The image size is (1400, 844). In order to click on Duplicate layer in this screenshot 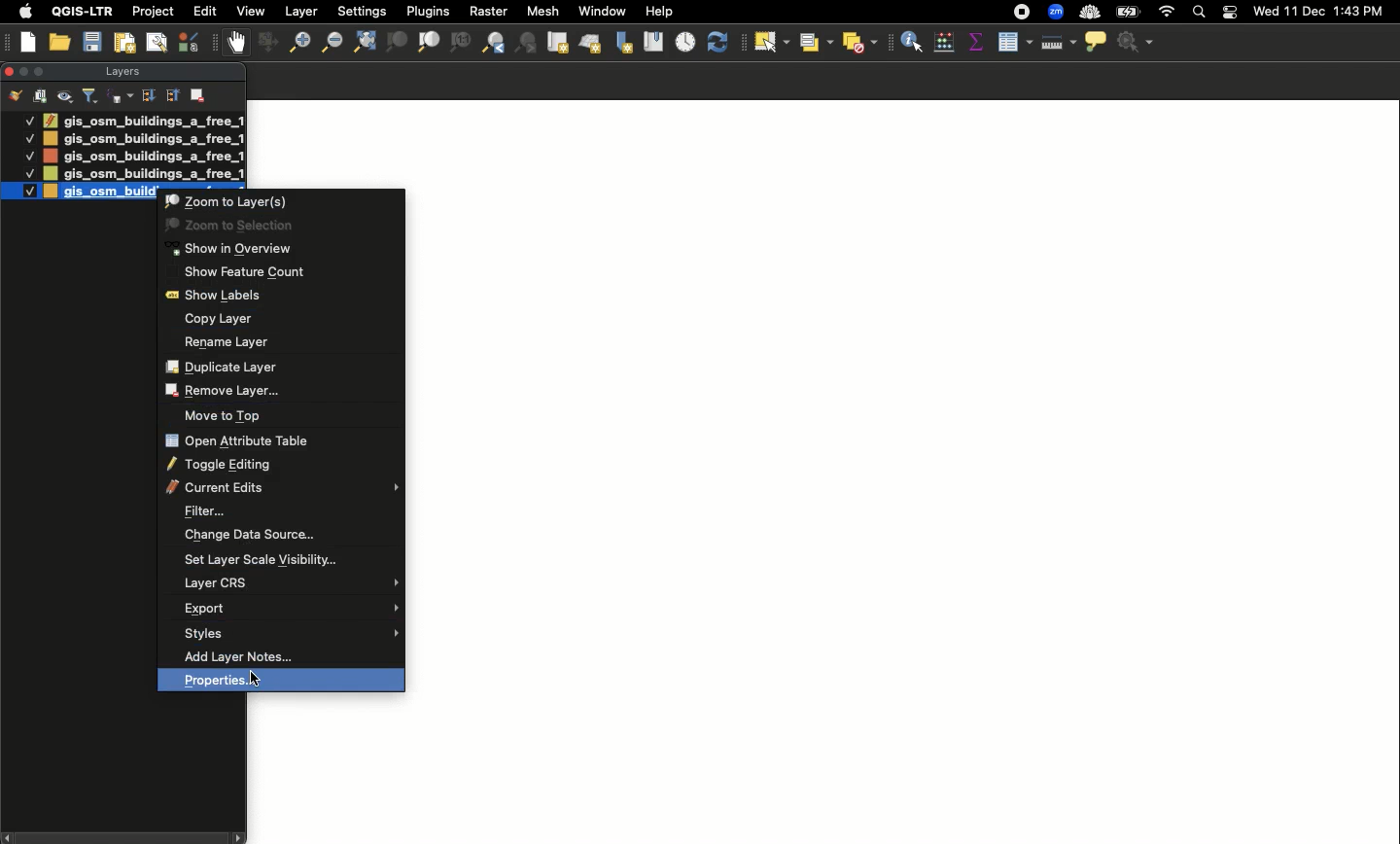, I will do `click(275, 368)`.